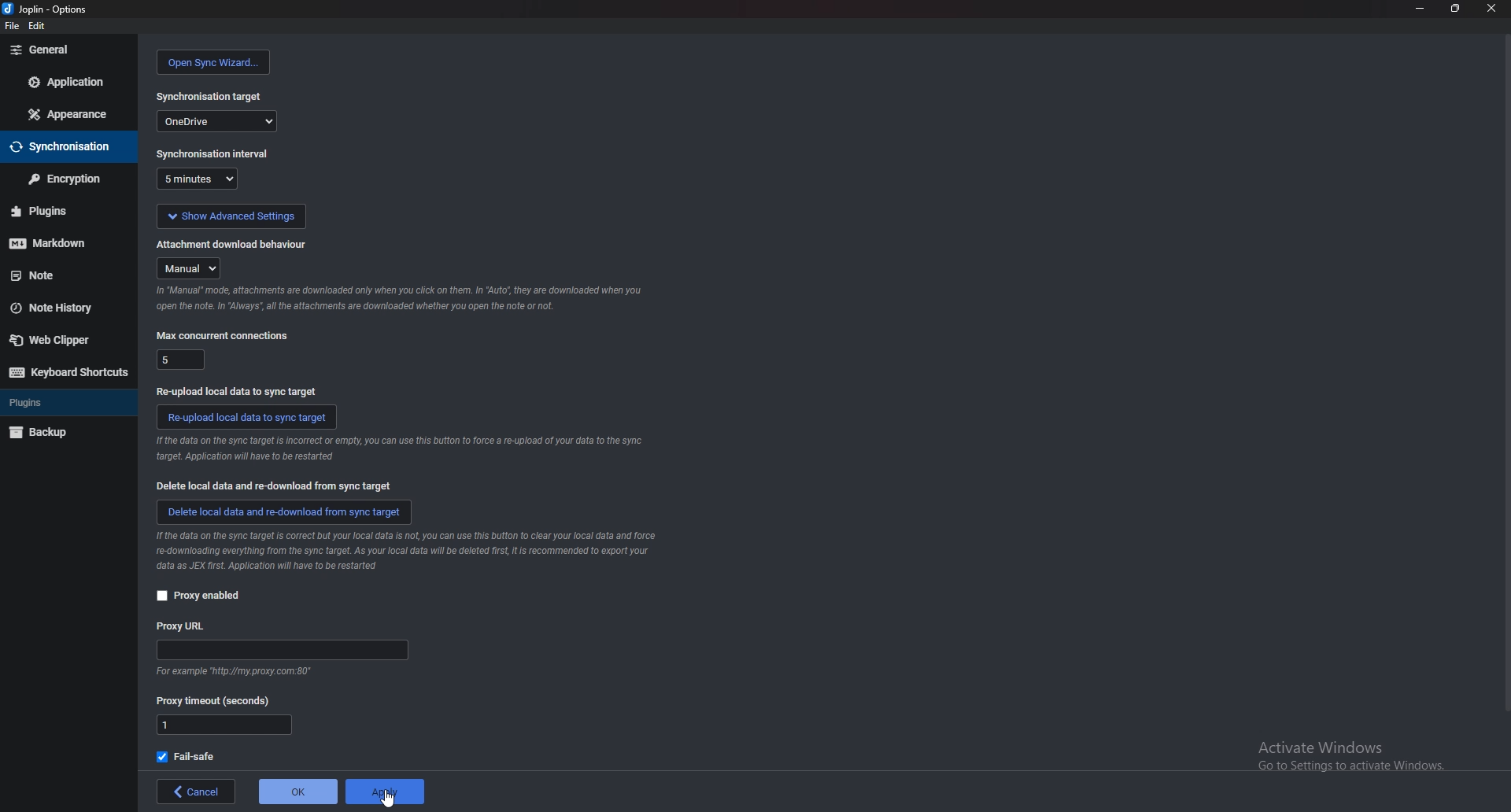 This screenshot has height=812, width=1511. I want to click on scroll bar, so click(1505, 376).